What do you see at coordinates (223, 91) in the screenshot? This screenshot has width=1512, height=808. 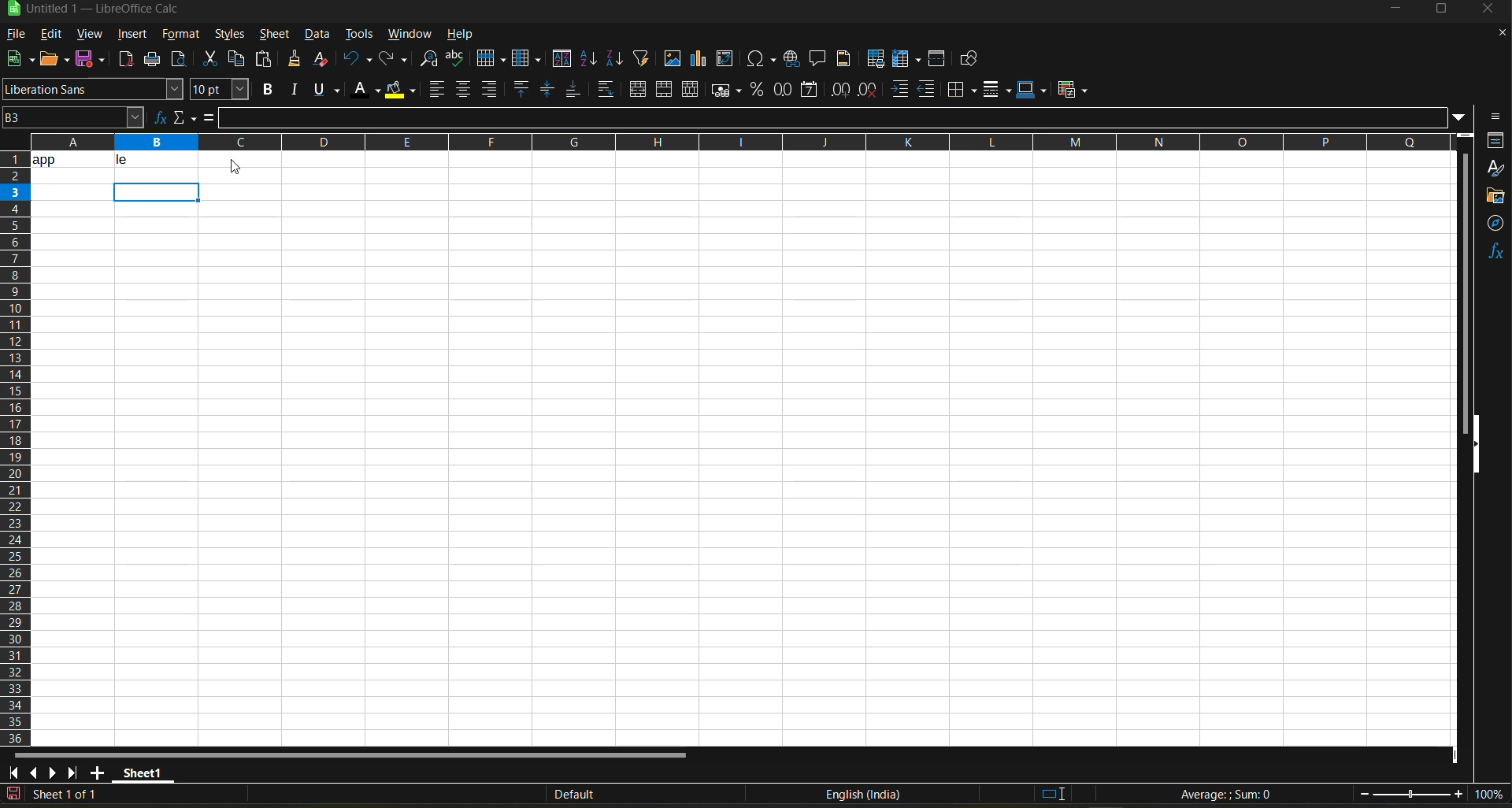 I see `font size` at bounding box center [223, 91].